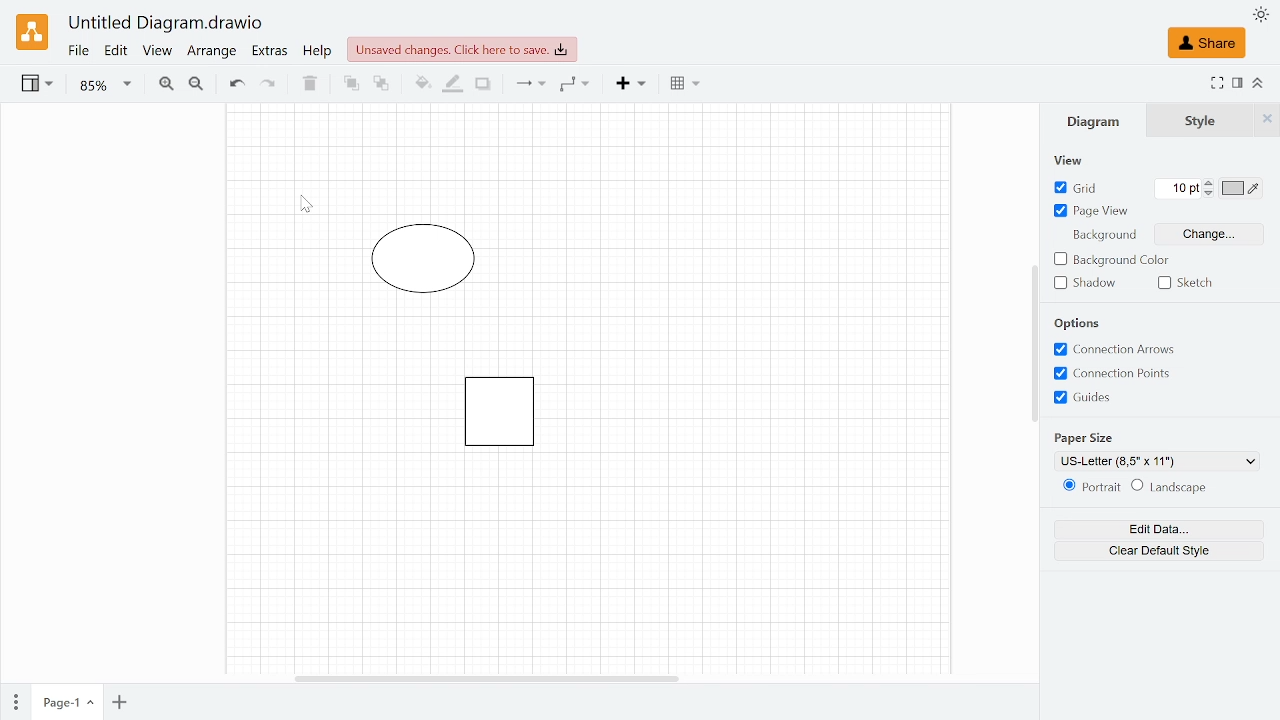  What do you see at coordinates (1102, 237) in the screenshot?
I see `Background` at bounding box center [1102, 237].